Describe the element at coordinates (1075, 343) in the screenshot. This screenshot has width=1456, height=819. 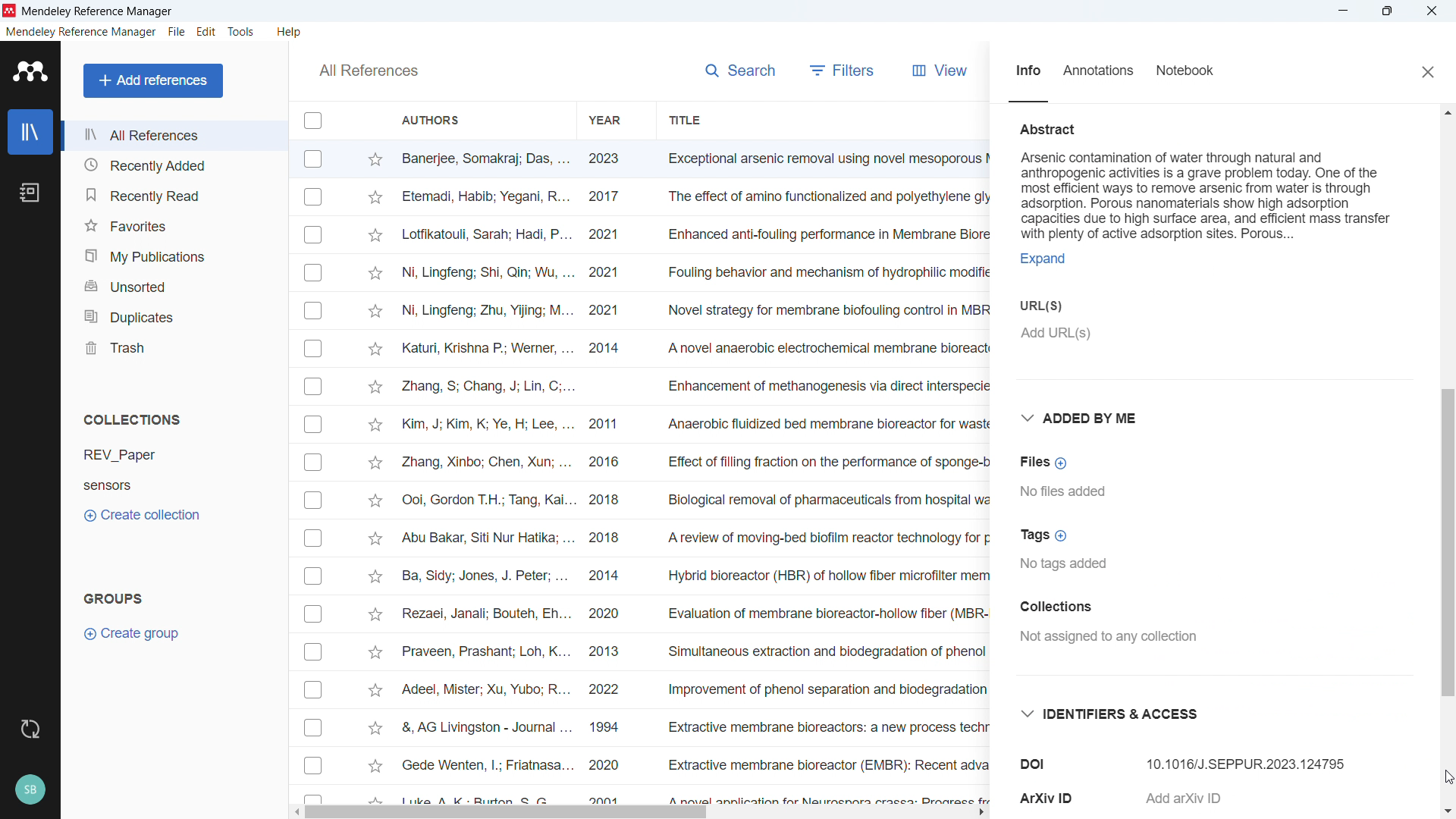
I see `add url(s)` at that location.